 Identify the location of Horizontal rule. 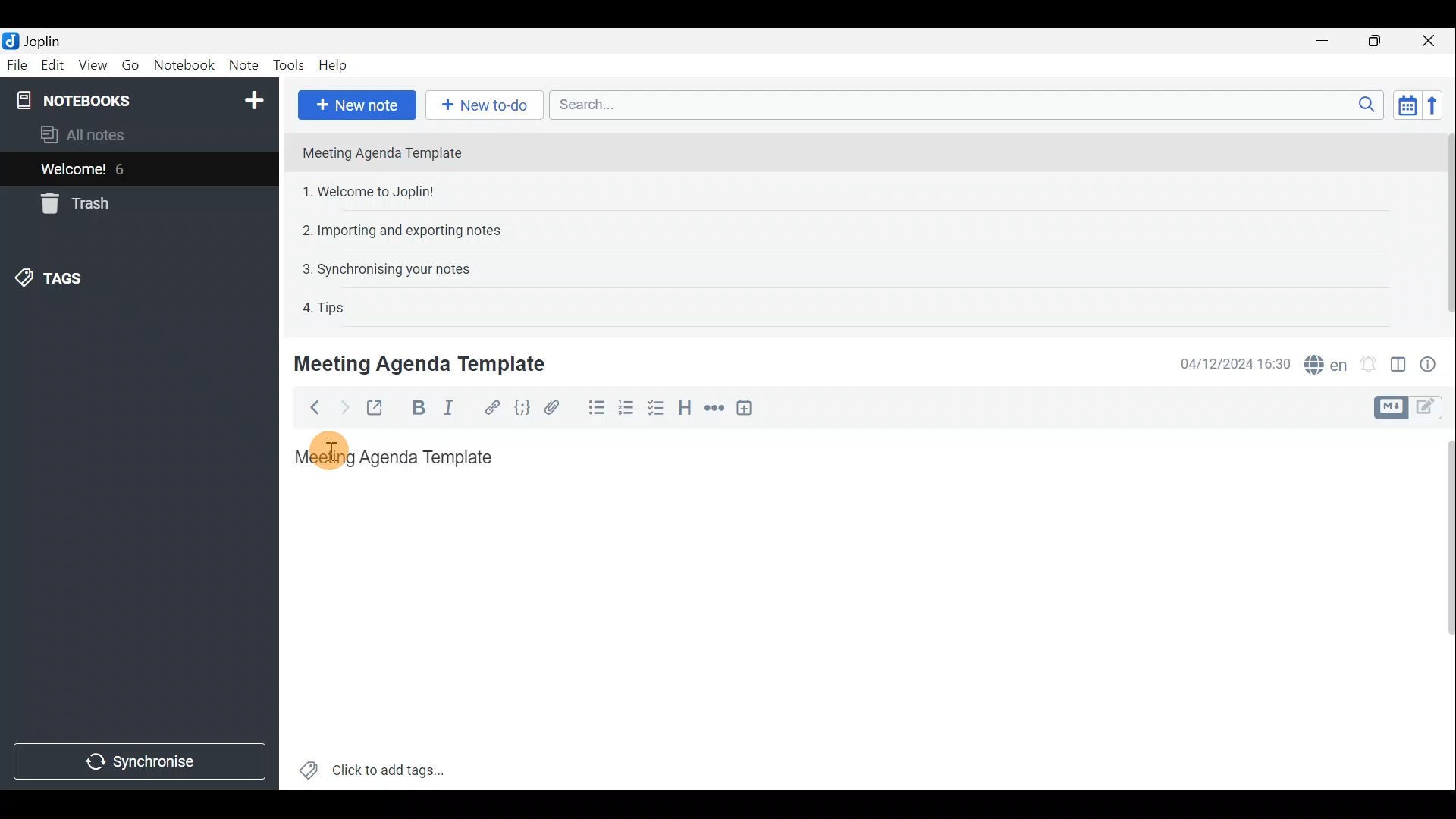
(715, 407).